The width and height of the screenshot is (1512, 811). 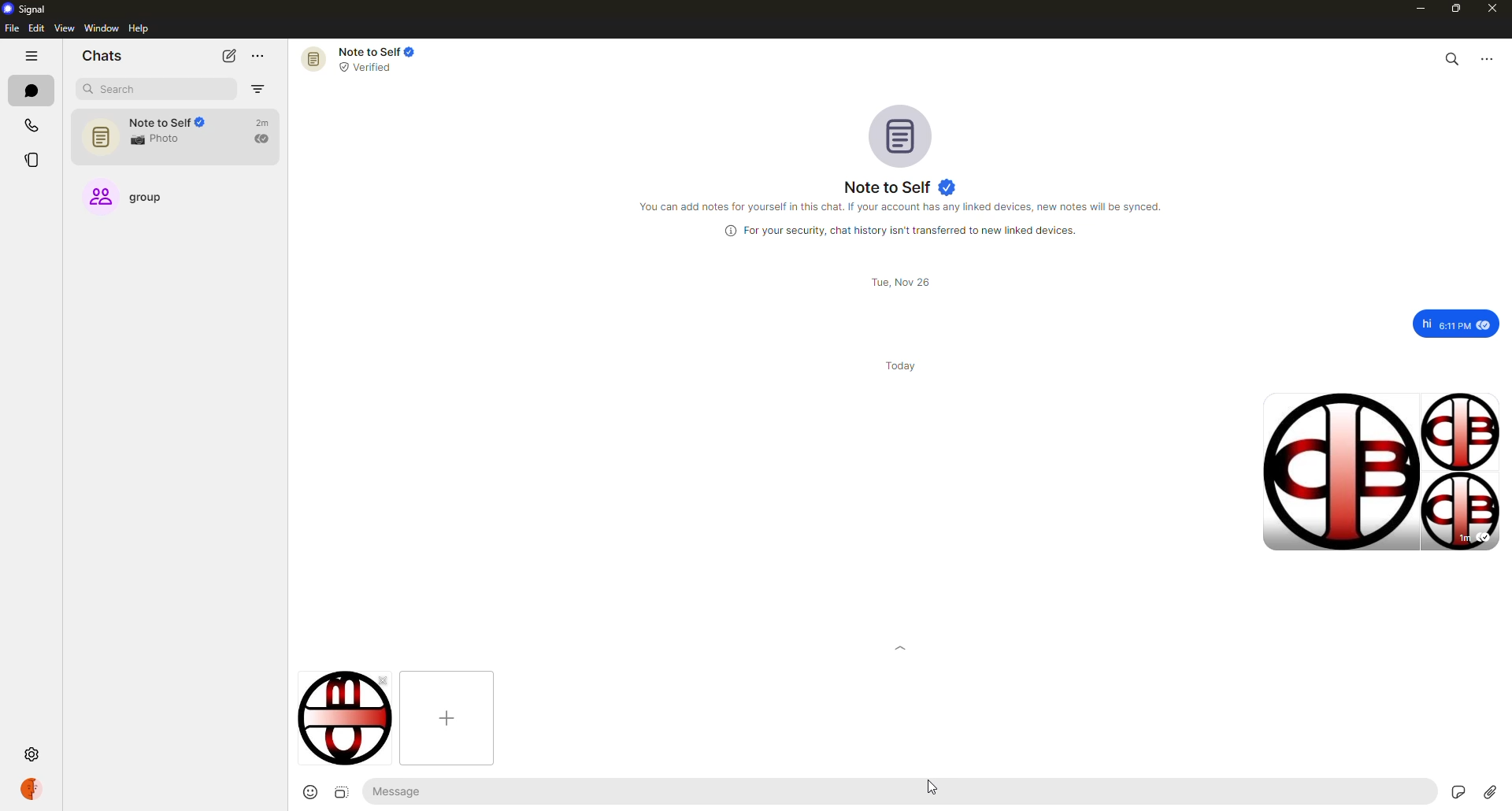 What do you see at coordinates (29, 126) in the screenshot?
I see `calls` at bounding box center [29, 126].